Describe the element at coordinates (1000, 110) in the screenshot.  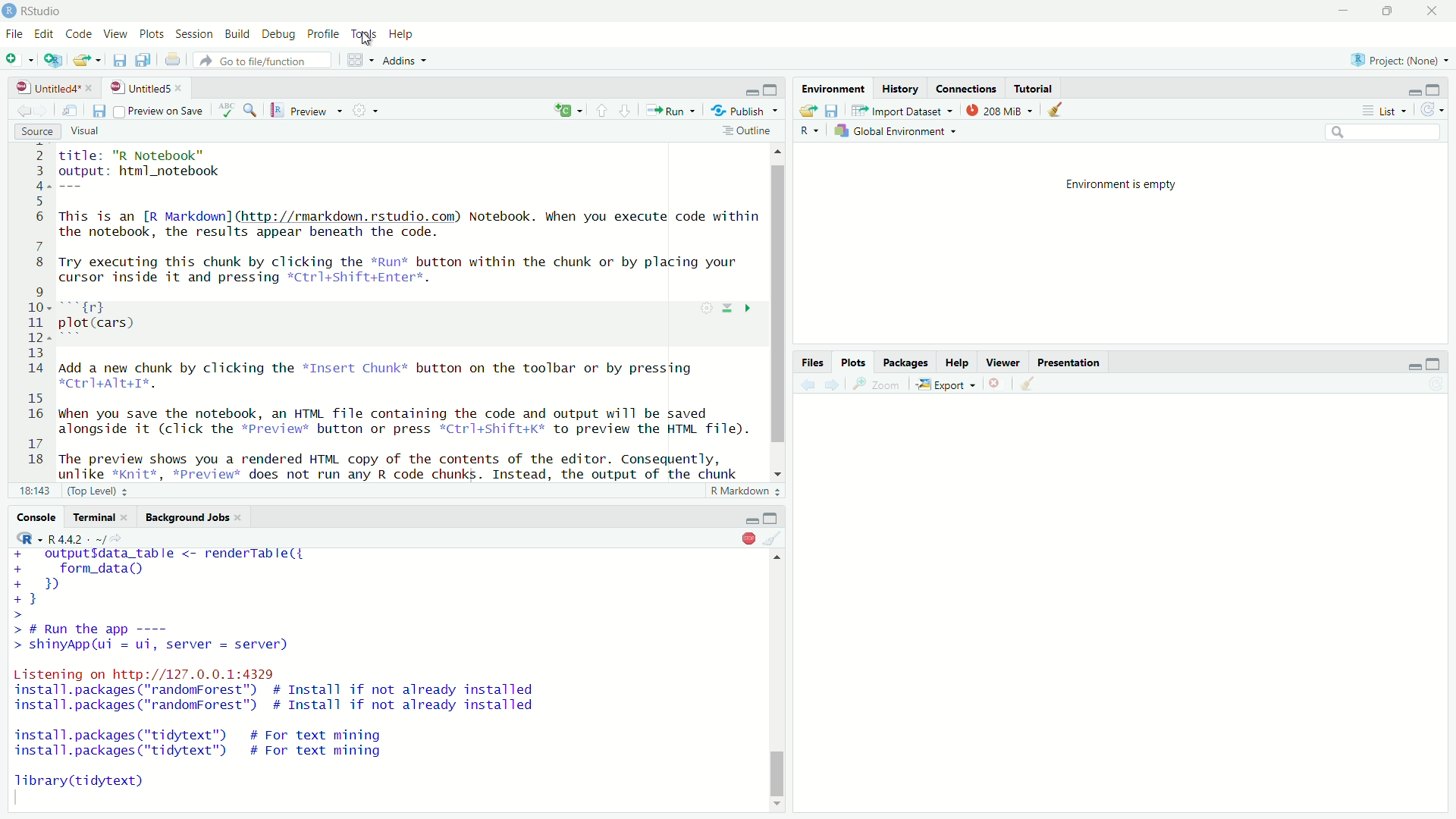
I see `208 ` at that location.